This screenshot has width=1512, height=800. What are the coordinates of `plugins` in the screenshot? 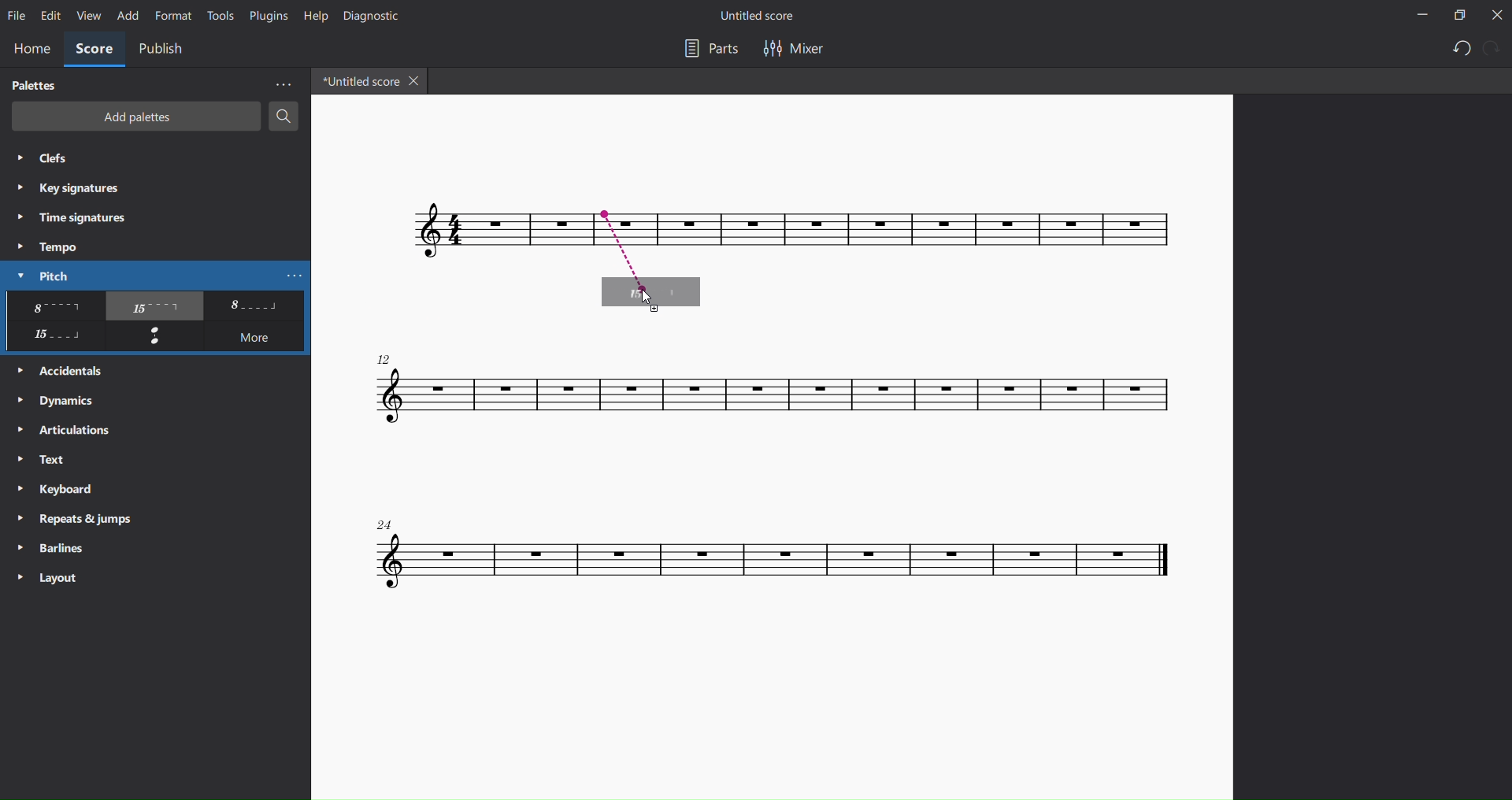 It's located at (265, 15).